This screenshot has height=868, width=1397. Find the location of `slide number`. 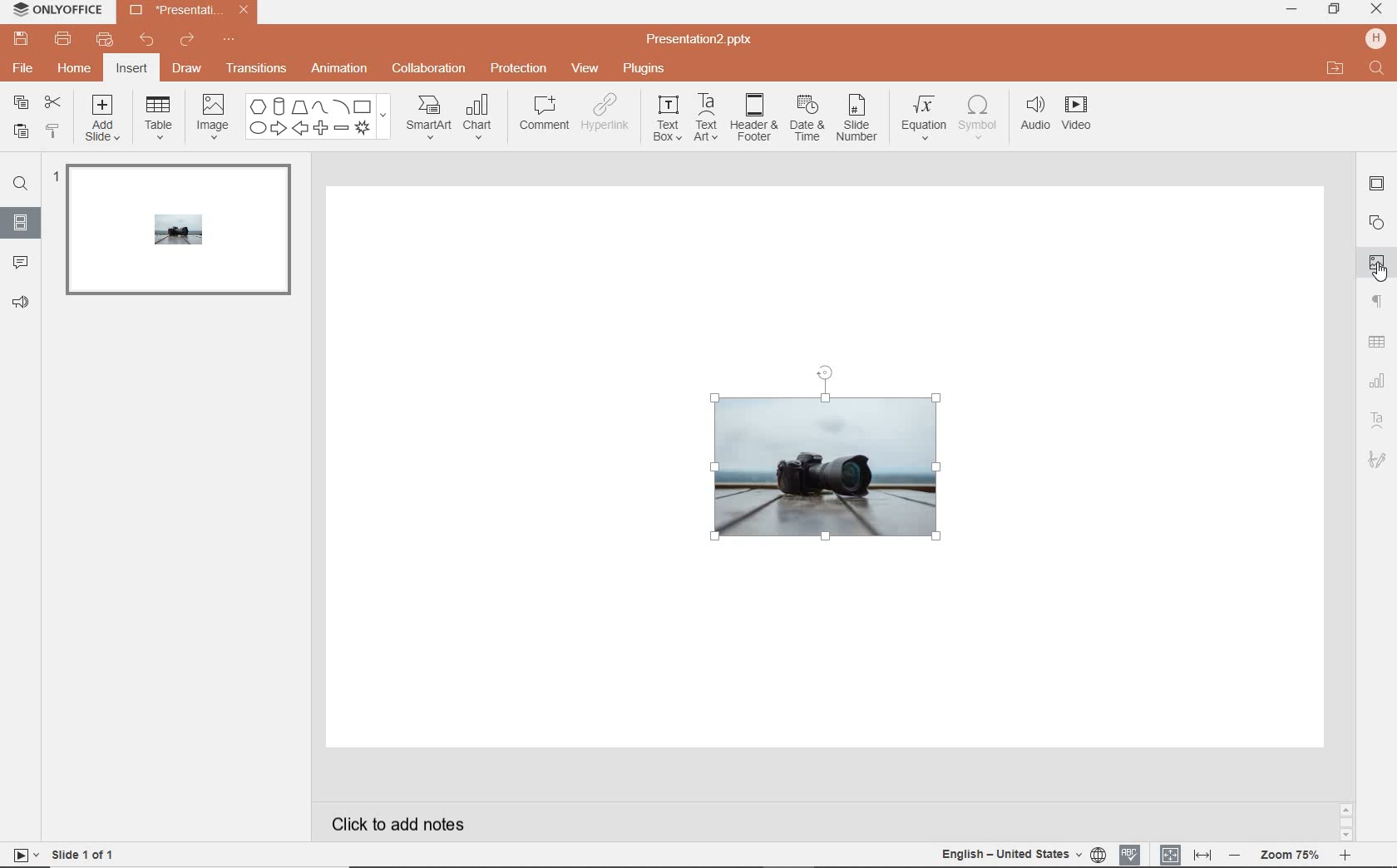

slide number is located at coordinates (860, 117).